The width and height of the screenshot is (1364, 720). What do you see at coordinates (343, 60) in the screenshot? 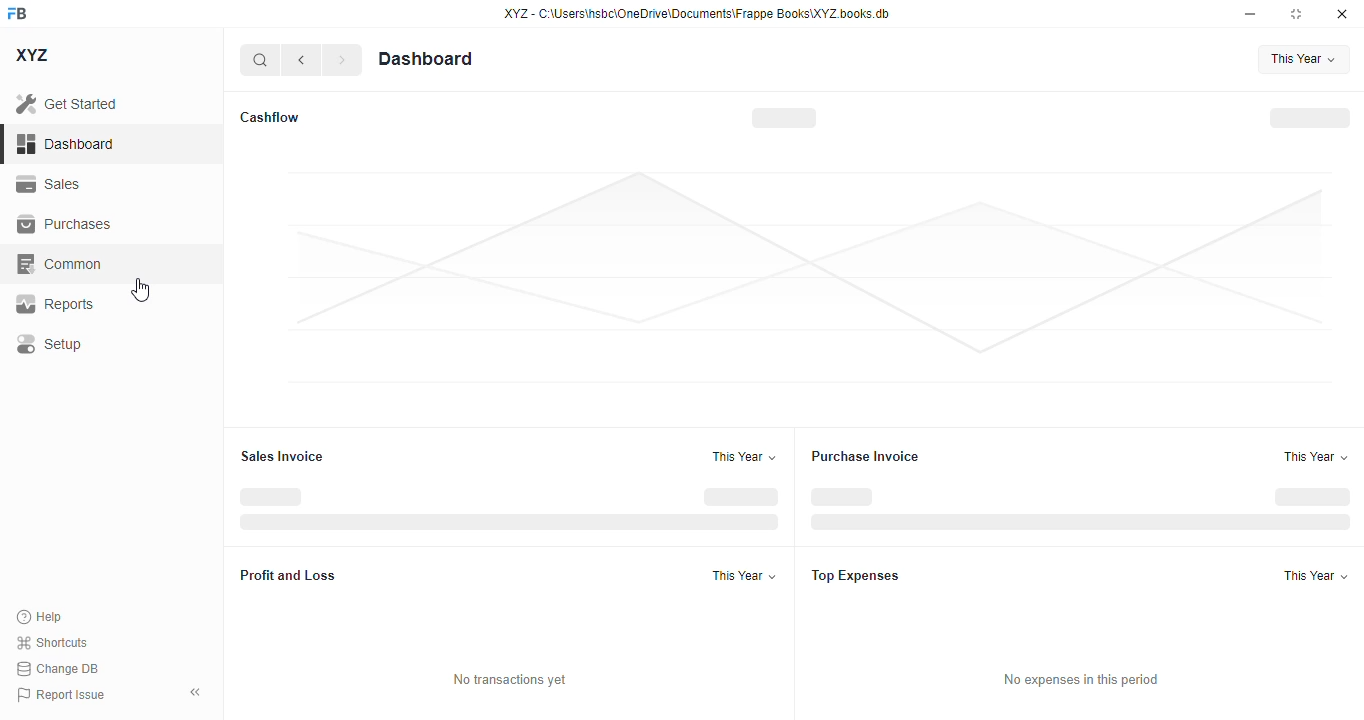
I see `next` at bounding box center [343, 60].